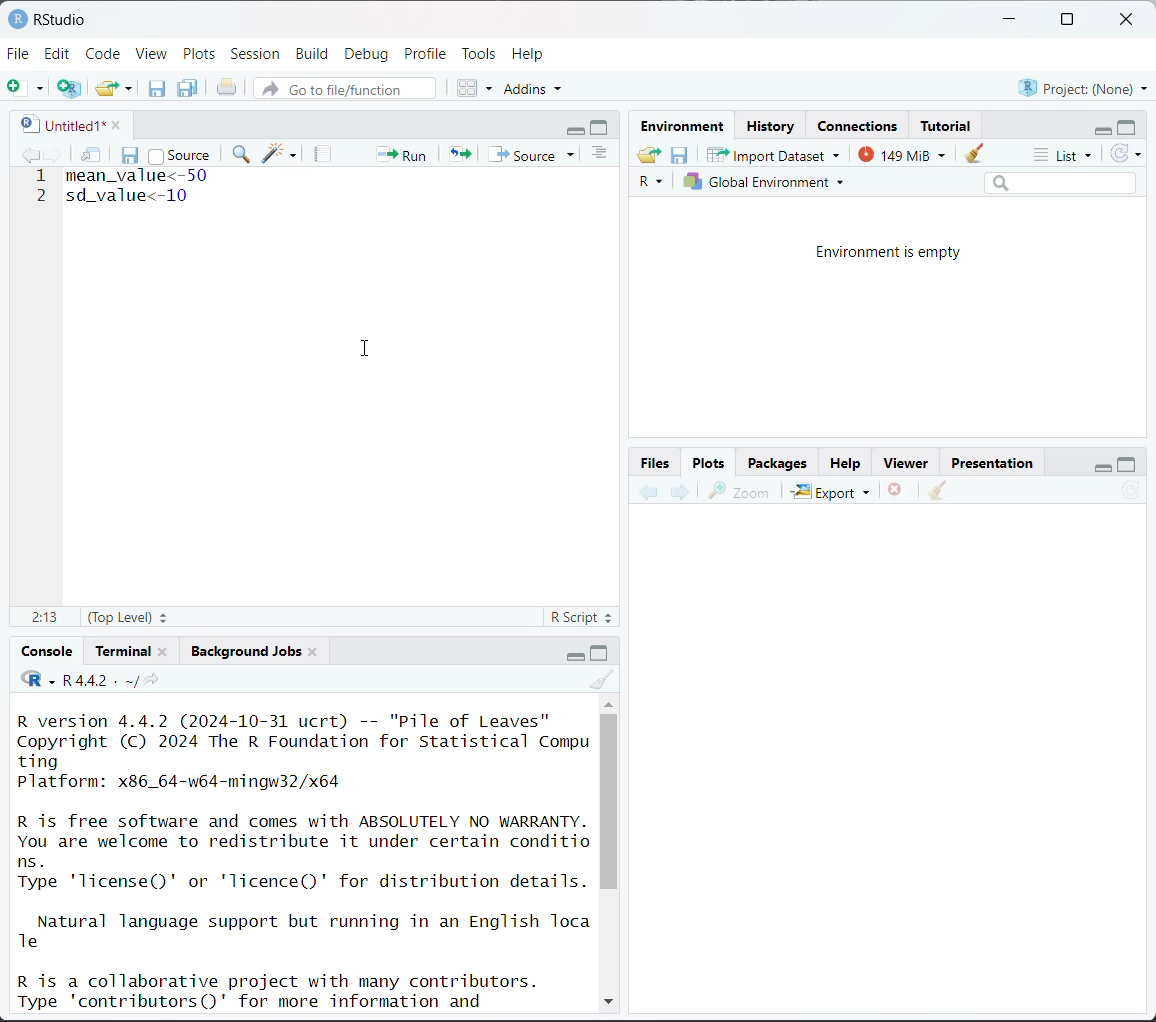  Describe the element at coordinates (530, 53) in the screenshot. I see `Help` at that location.